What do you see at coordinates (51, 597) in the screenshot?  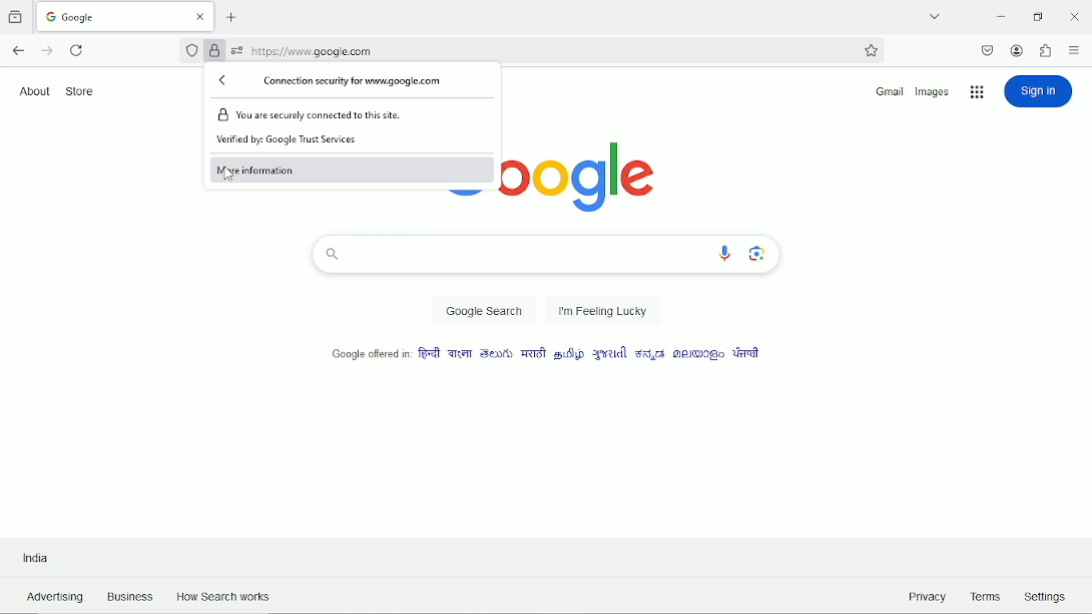 I see `Advertising` at bounding box center [51, 597].